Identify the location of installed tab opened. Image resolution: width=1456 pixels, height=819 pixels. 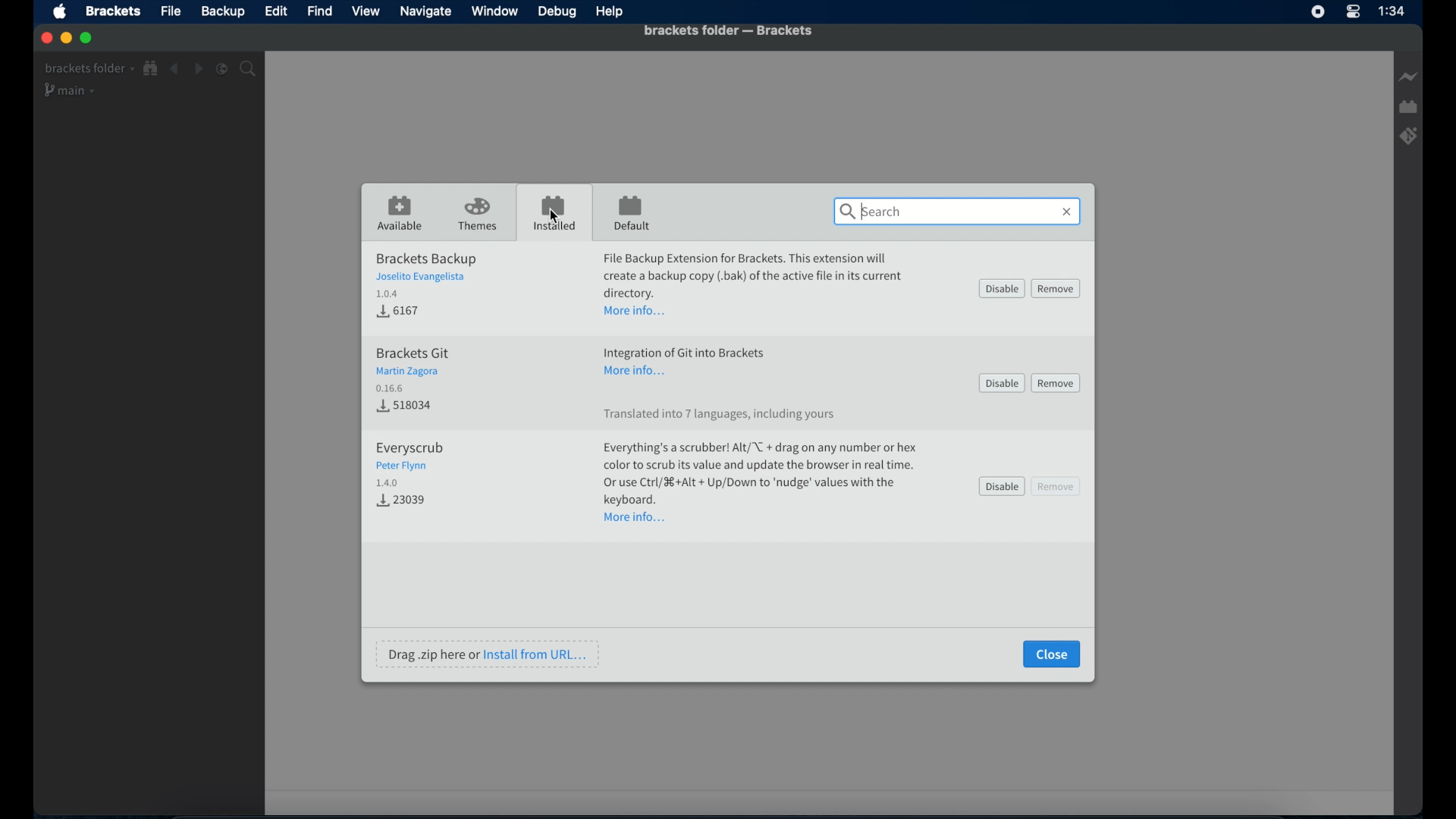
(554, 213).